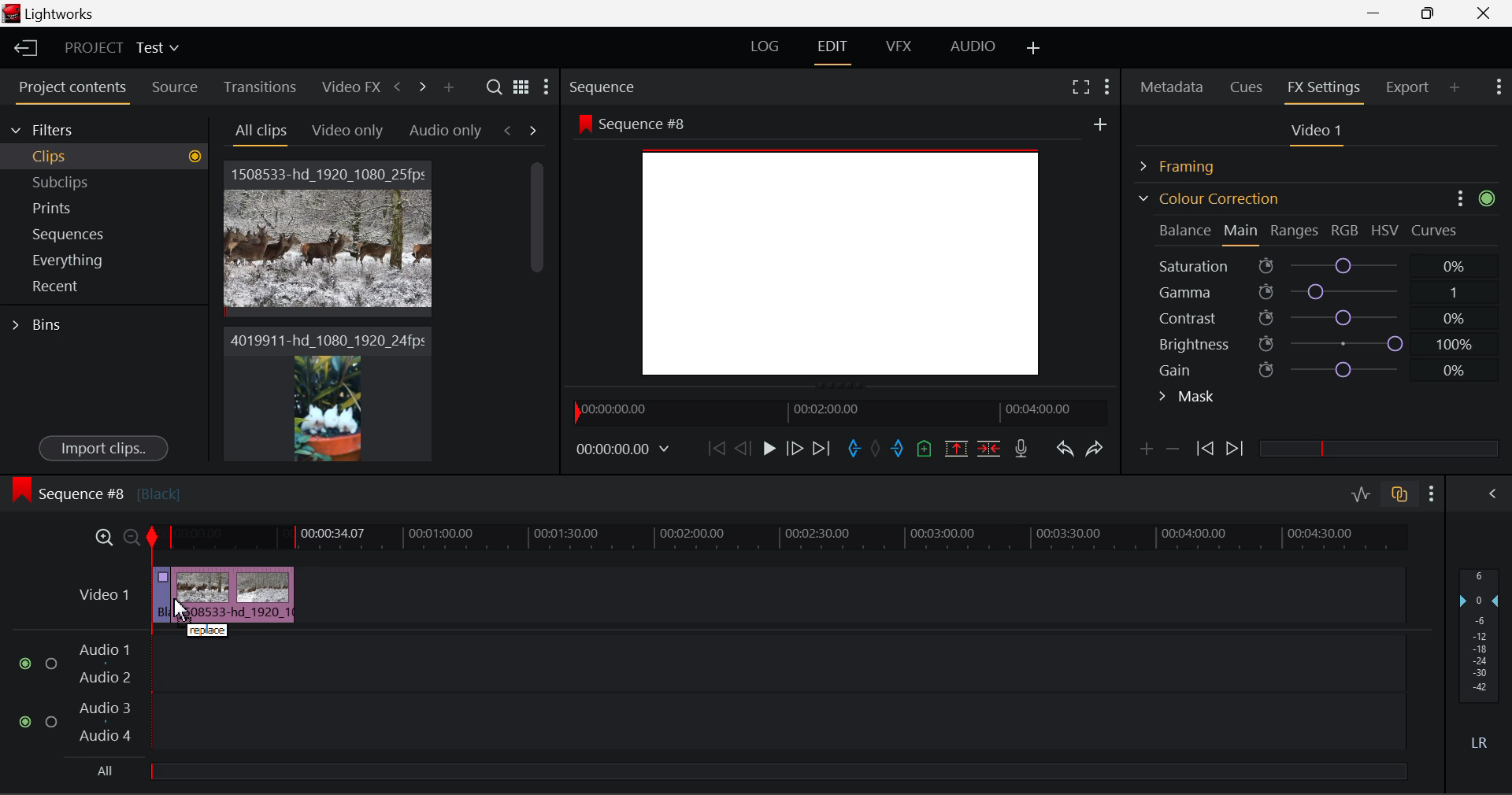  Describe the element at coordinates (72, 232) in the screenshot. I see `Sequences` at that location.